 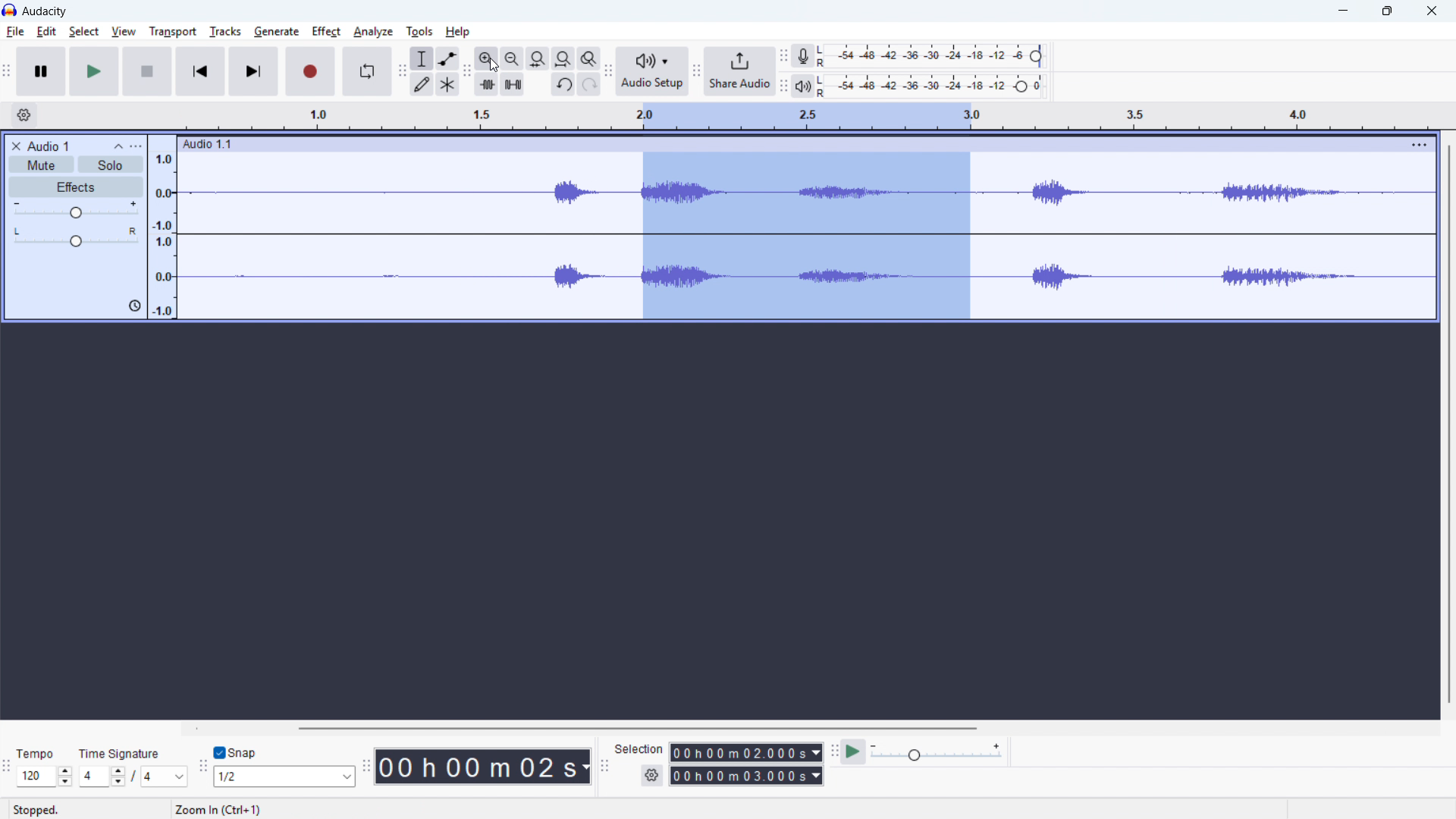 What do you see at coordinates (120, 752) in the screenshot?
I see `Time signature` at bounding box center [120, 752].